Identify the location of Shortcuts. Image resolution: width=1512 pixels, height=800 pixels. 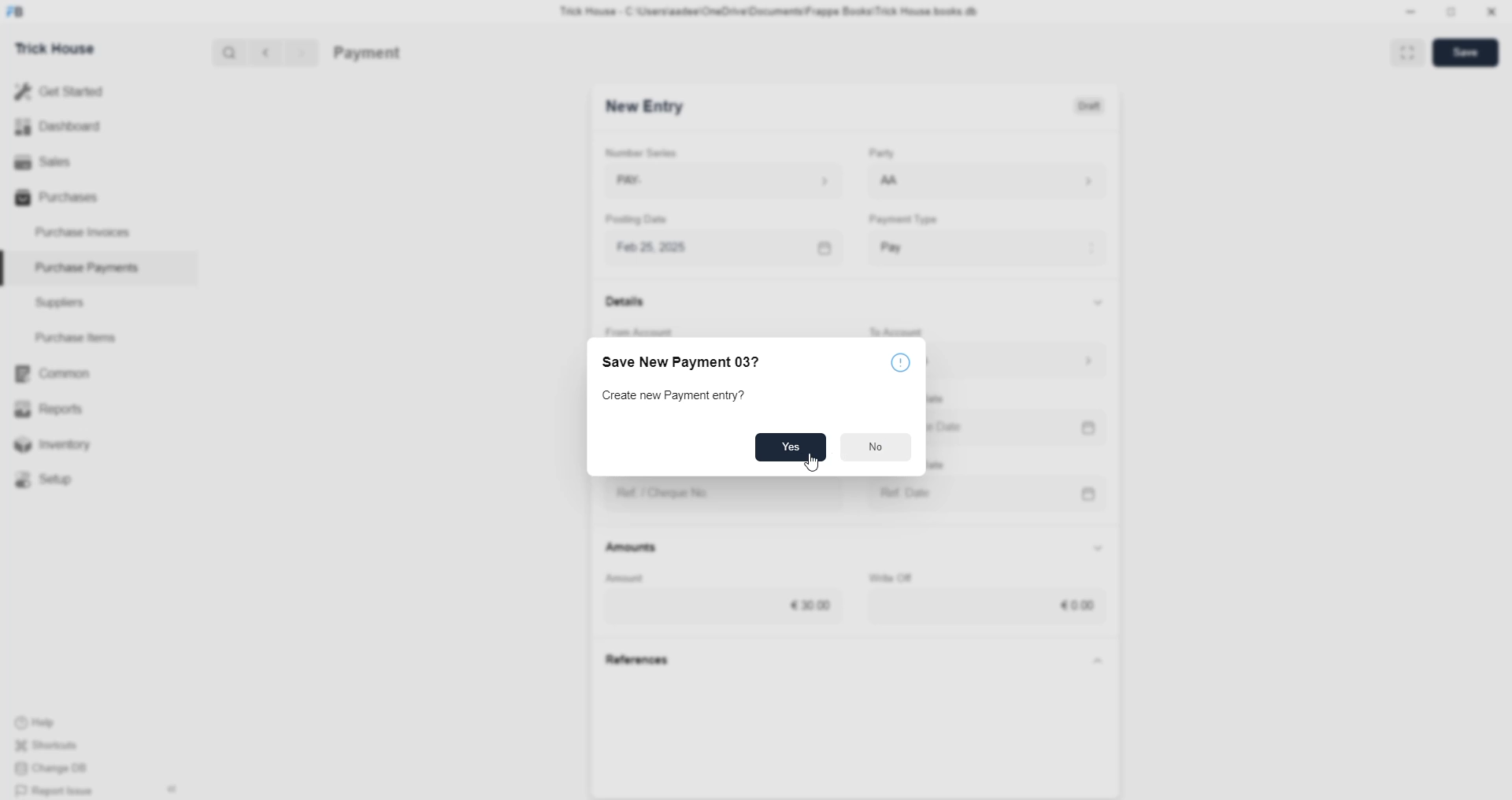
(56, 747).